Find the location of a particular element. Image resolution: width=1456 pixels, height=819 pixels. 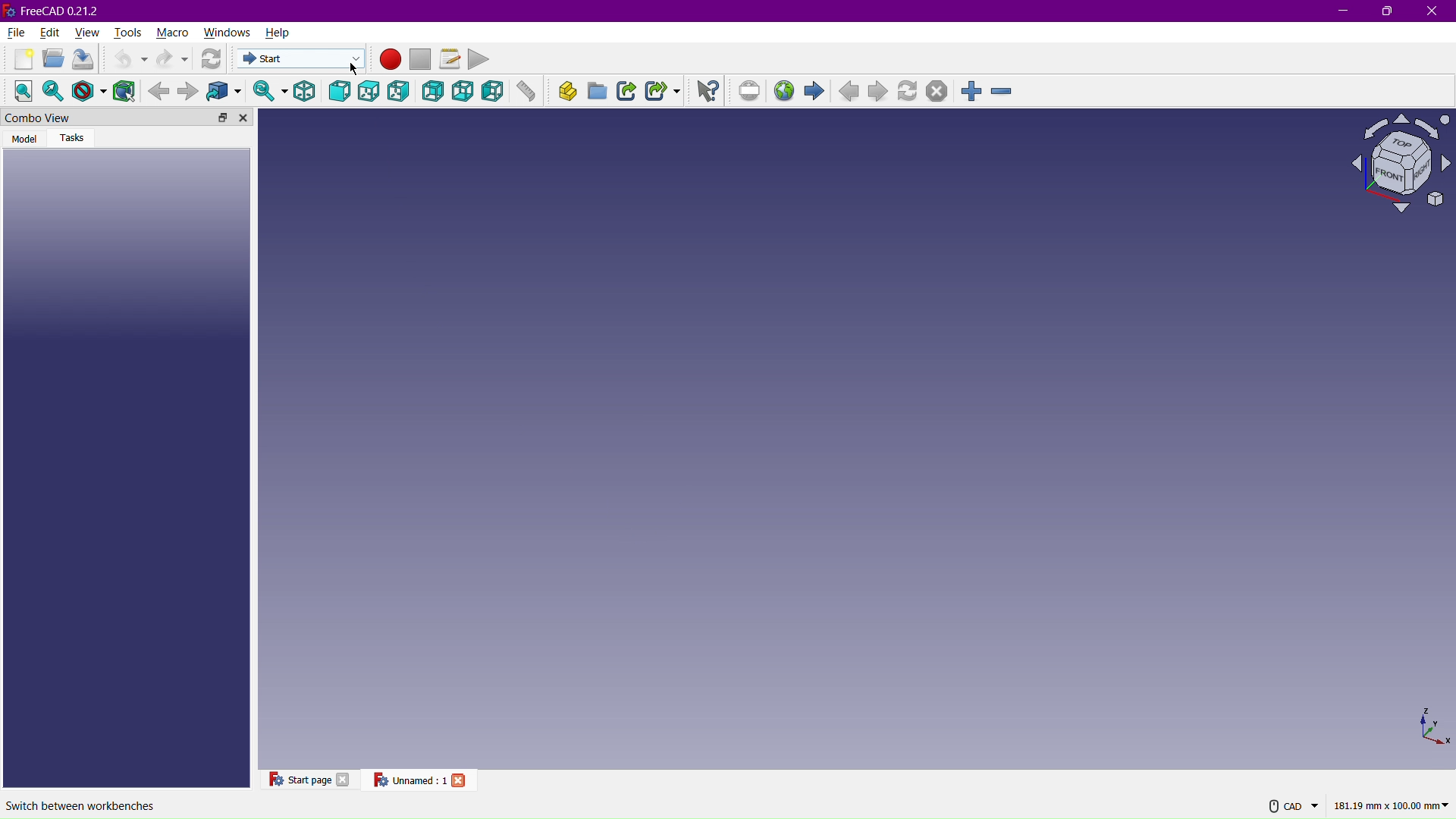

181.19 mm x 100.00 mm is located at coordinates (1392, 806).